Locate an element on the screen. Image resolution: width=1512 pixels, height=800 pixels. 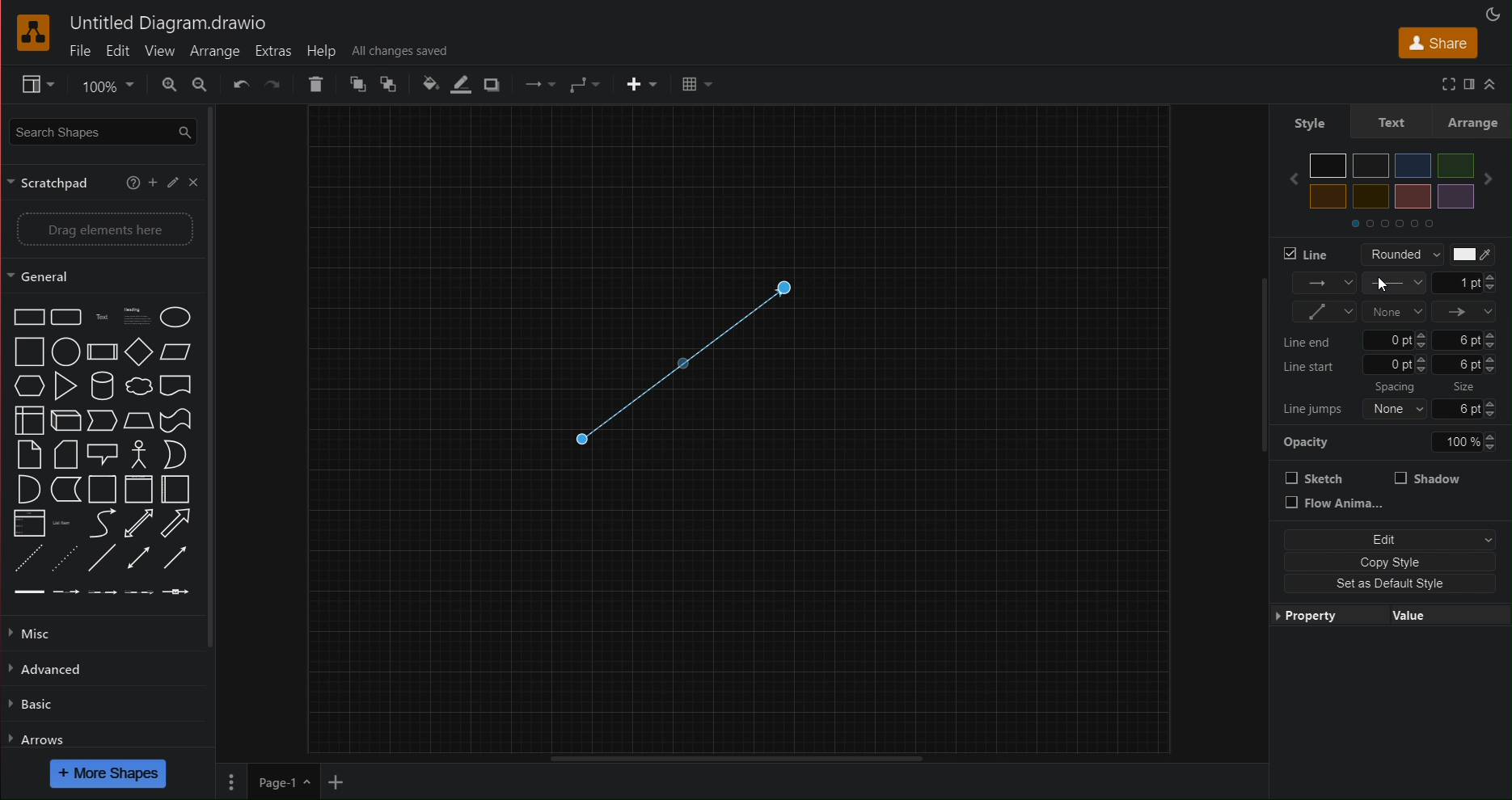
Copy Style is located at coordinates (1386, 561).